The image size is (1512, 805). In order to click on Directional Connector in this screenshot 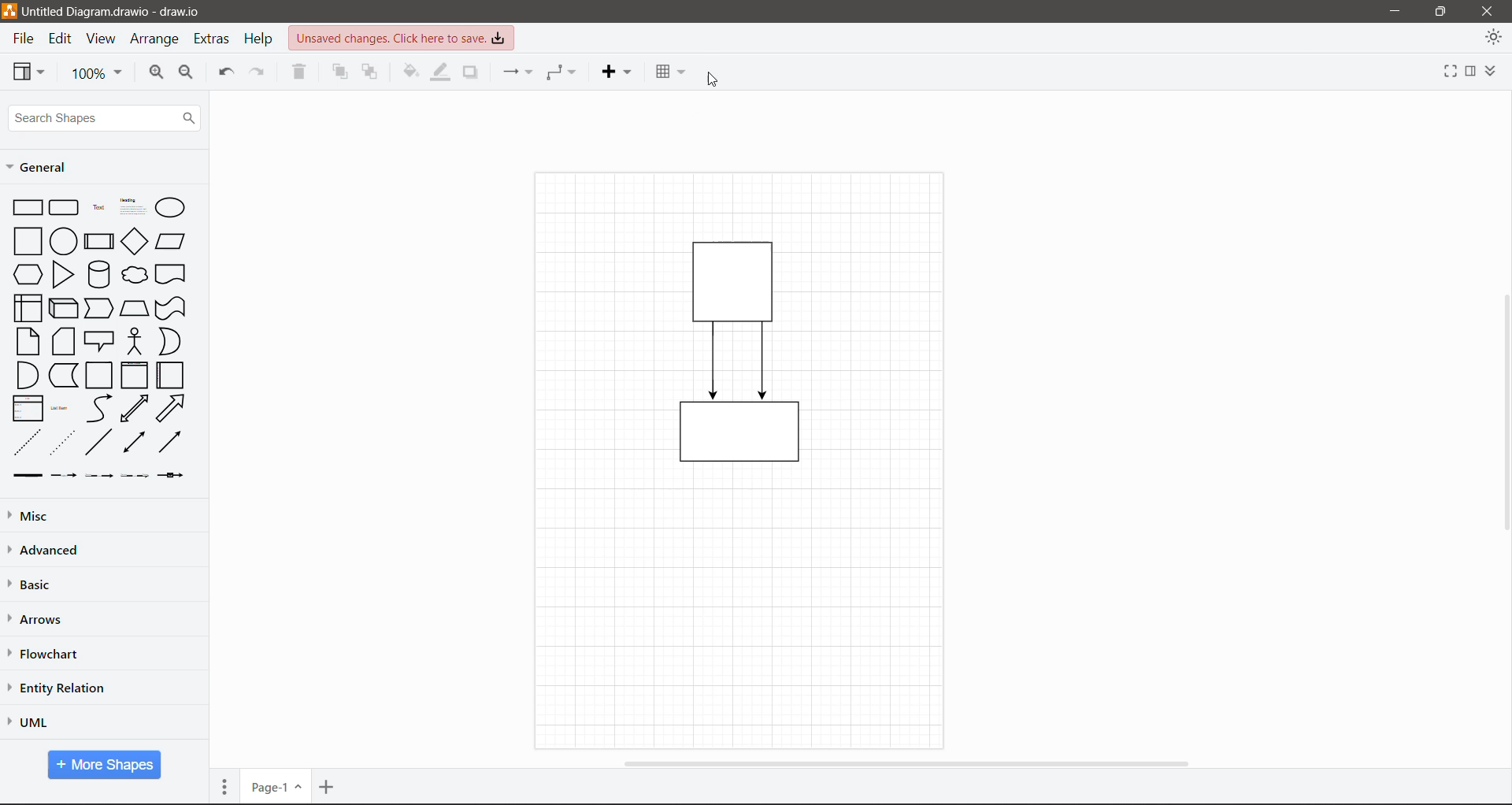, I will do `click(764, 362)`.